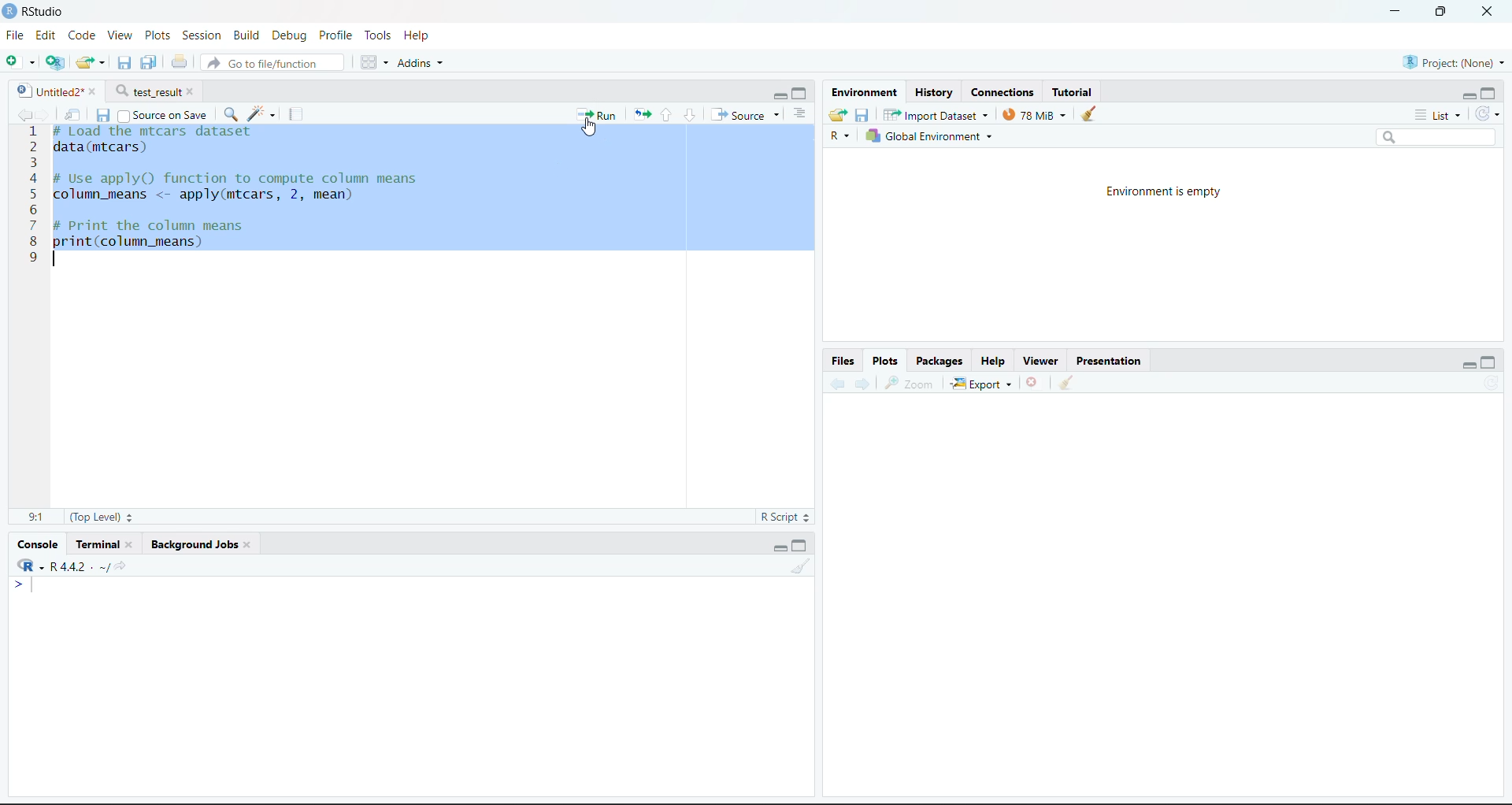 This screenshot has height=805, width=1512. I want to click on Load workspace, so click(836, 116).